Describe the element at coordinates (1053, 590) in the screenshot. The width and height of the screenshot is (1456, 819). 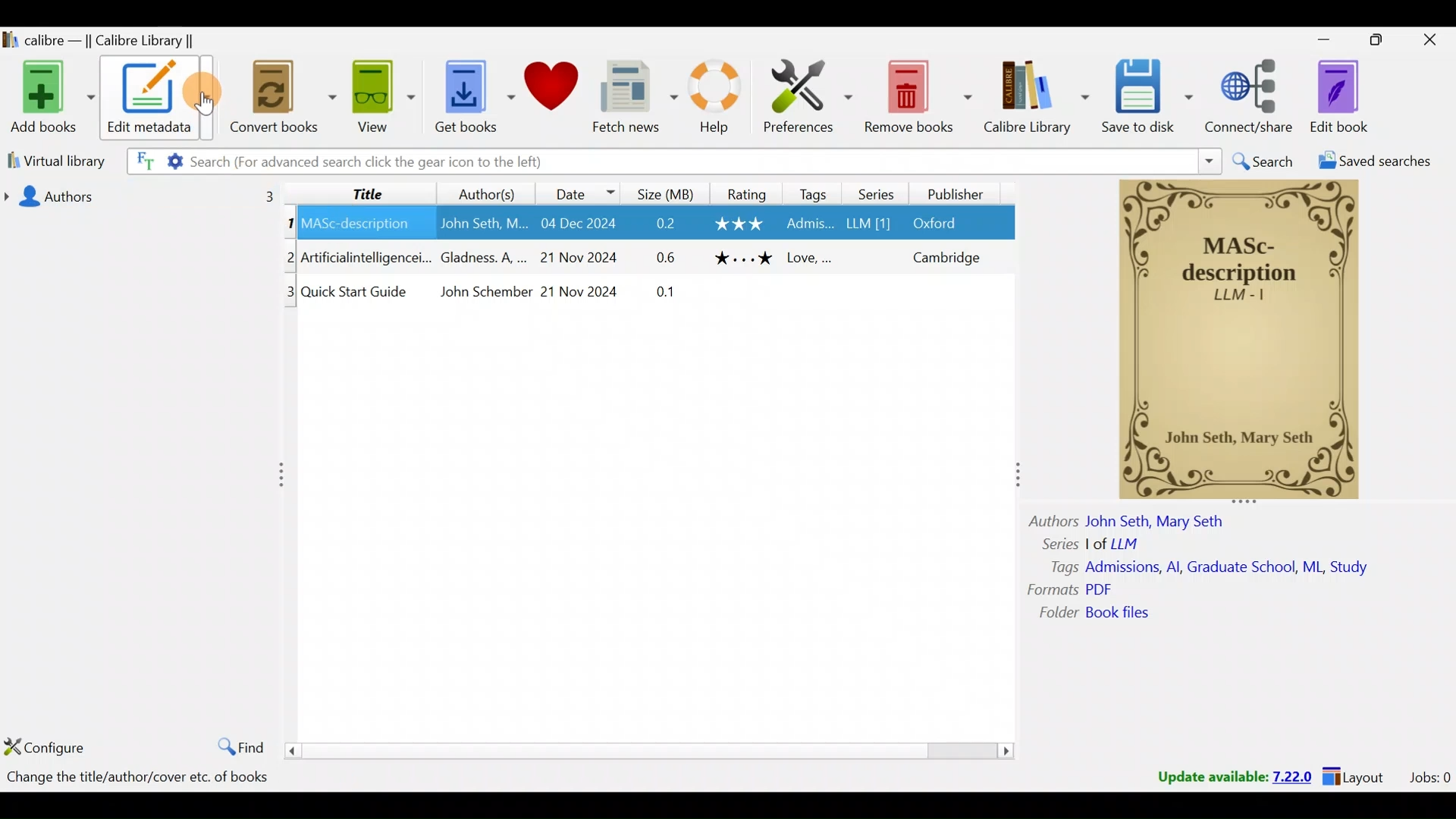
I see `` at that location.